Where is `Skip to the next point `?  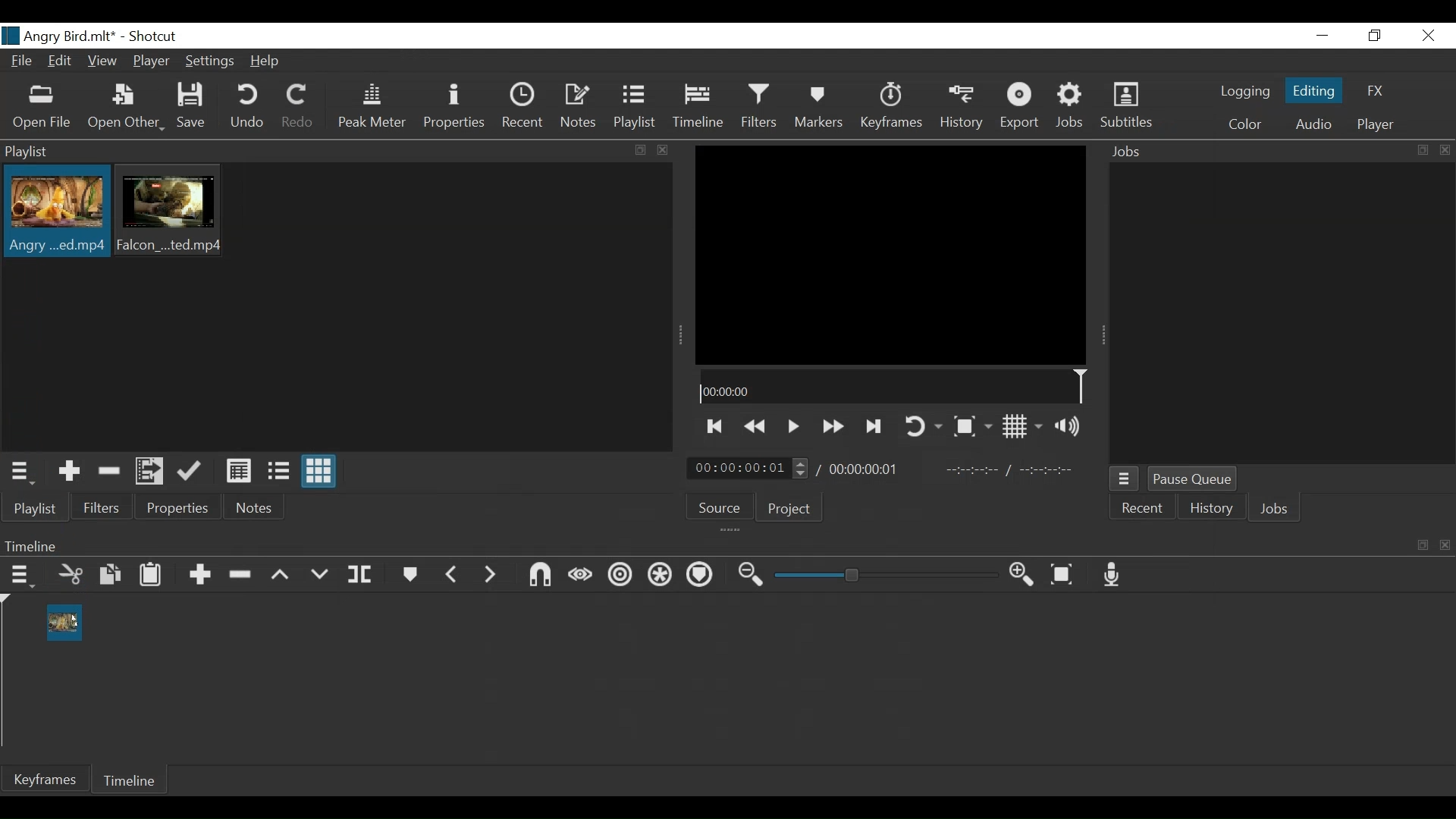 Skip to the next point  is located at coordinates (876, 428).